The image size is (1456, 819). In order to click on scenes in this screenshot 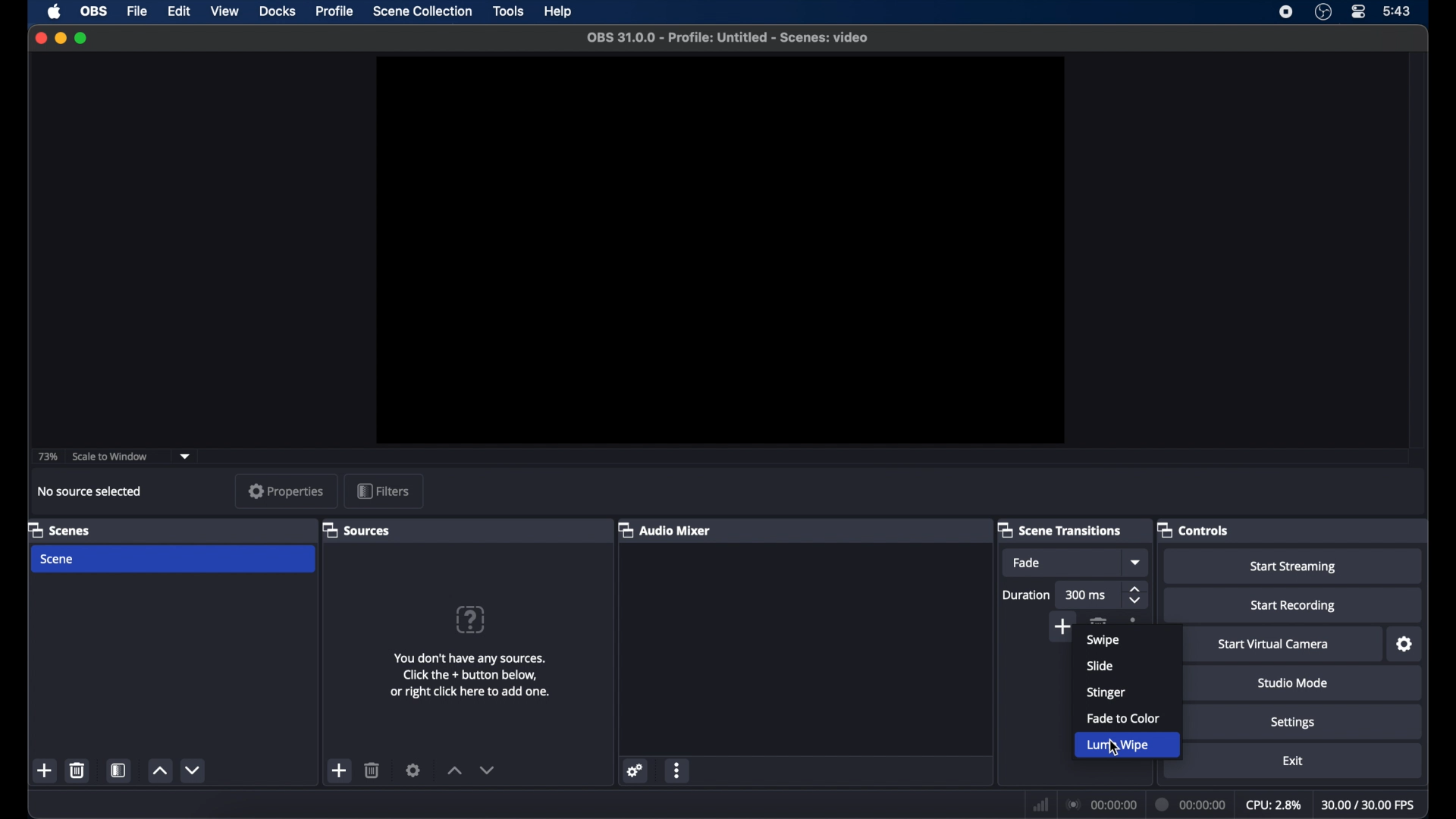, I will do `click(62, 529)`.